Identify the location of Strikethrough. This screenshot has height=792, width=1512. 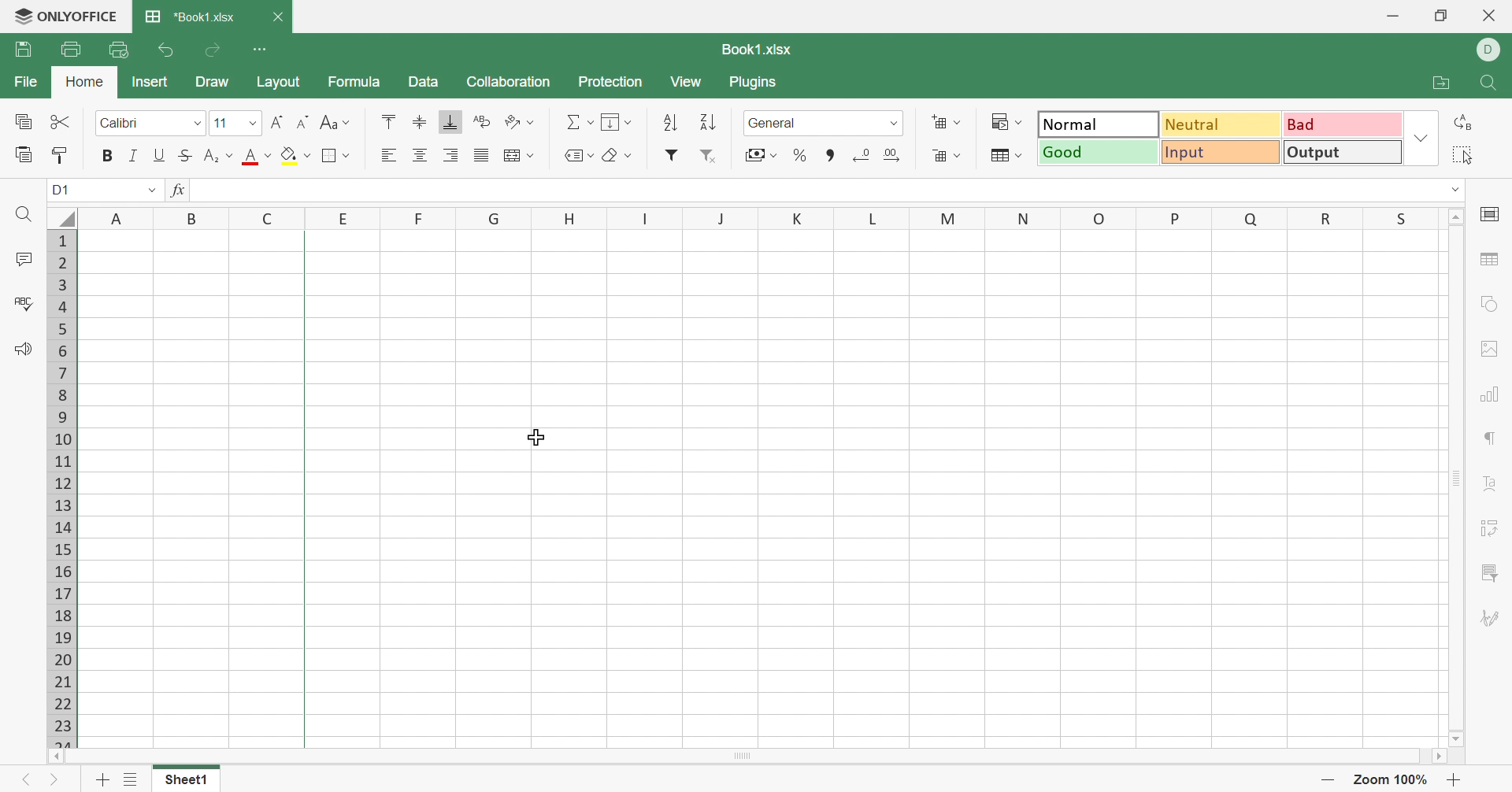
(187, 156).